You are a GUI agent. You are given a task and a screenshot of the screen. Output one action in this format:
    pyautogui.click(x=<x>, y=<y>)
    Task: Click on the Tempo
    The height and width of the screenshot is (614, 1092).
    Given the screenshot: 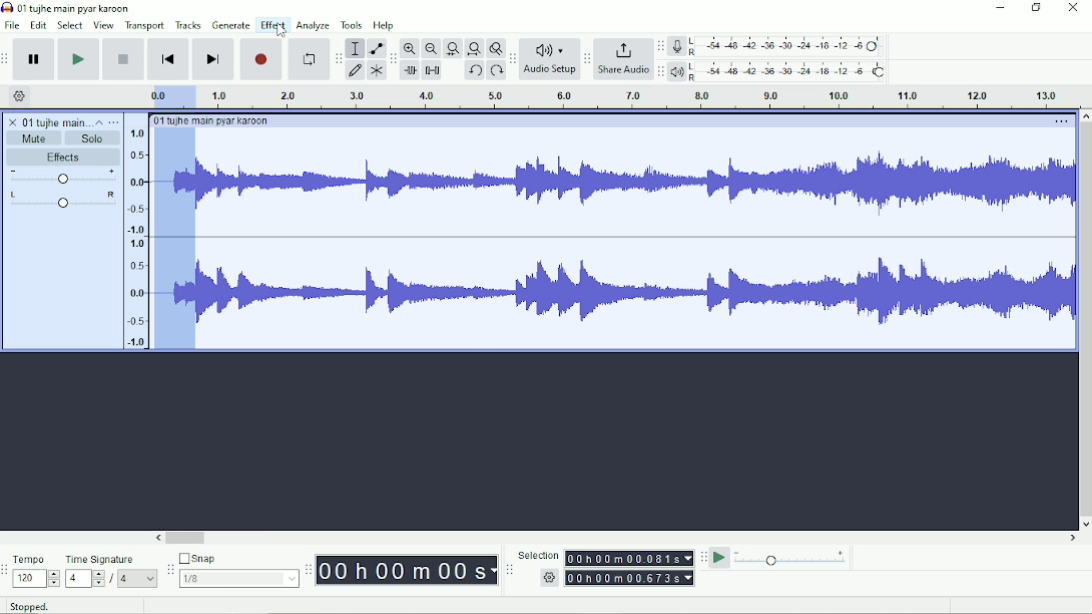 What is the action you would take?
    pyautogui.click(x=36, y=559)
    